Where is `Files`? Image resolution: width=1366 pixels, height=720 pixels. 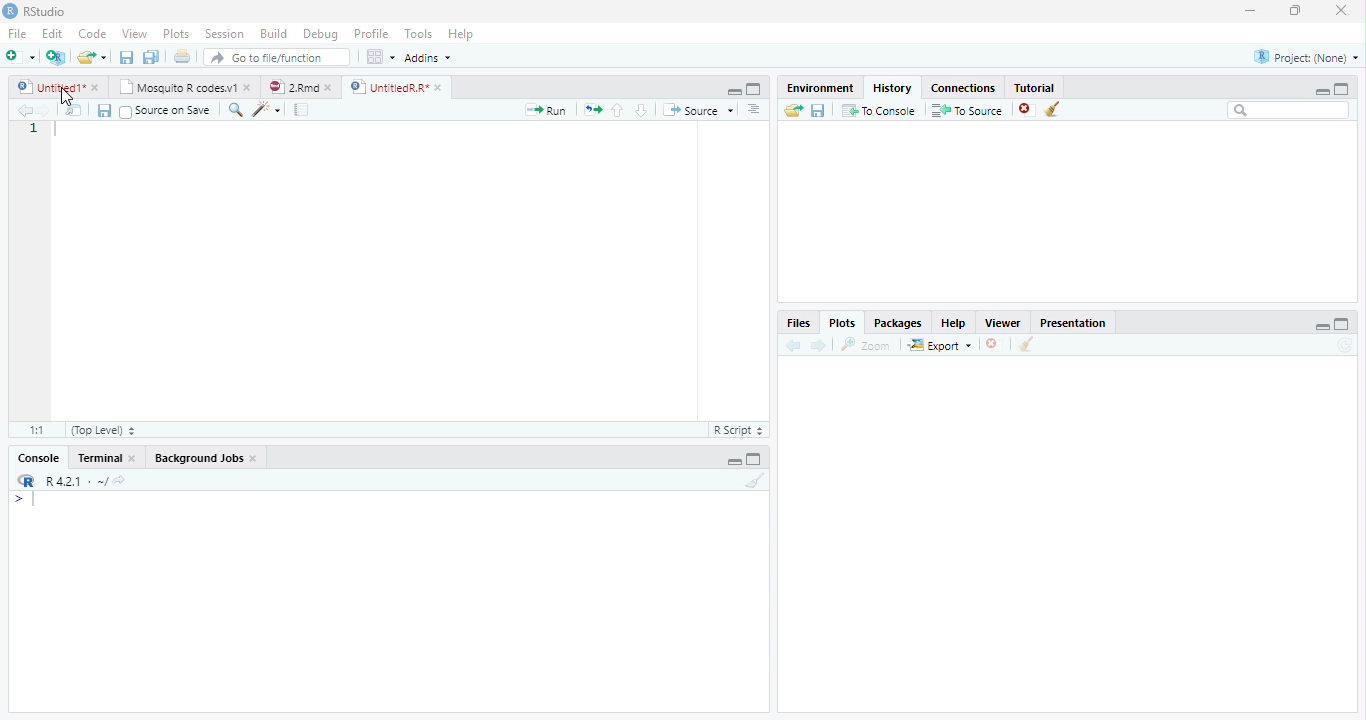
Files is located at coordinates (592, 110).